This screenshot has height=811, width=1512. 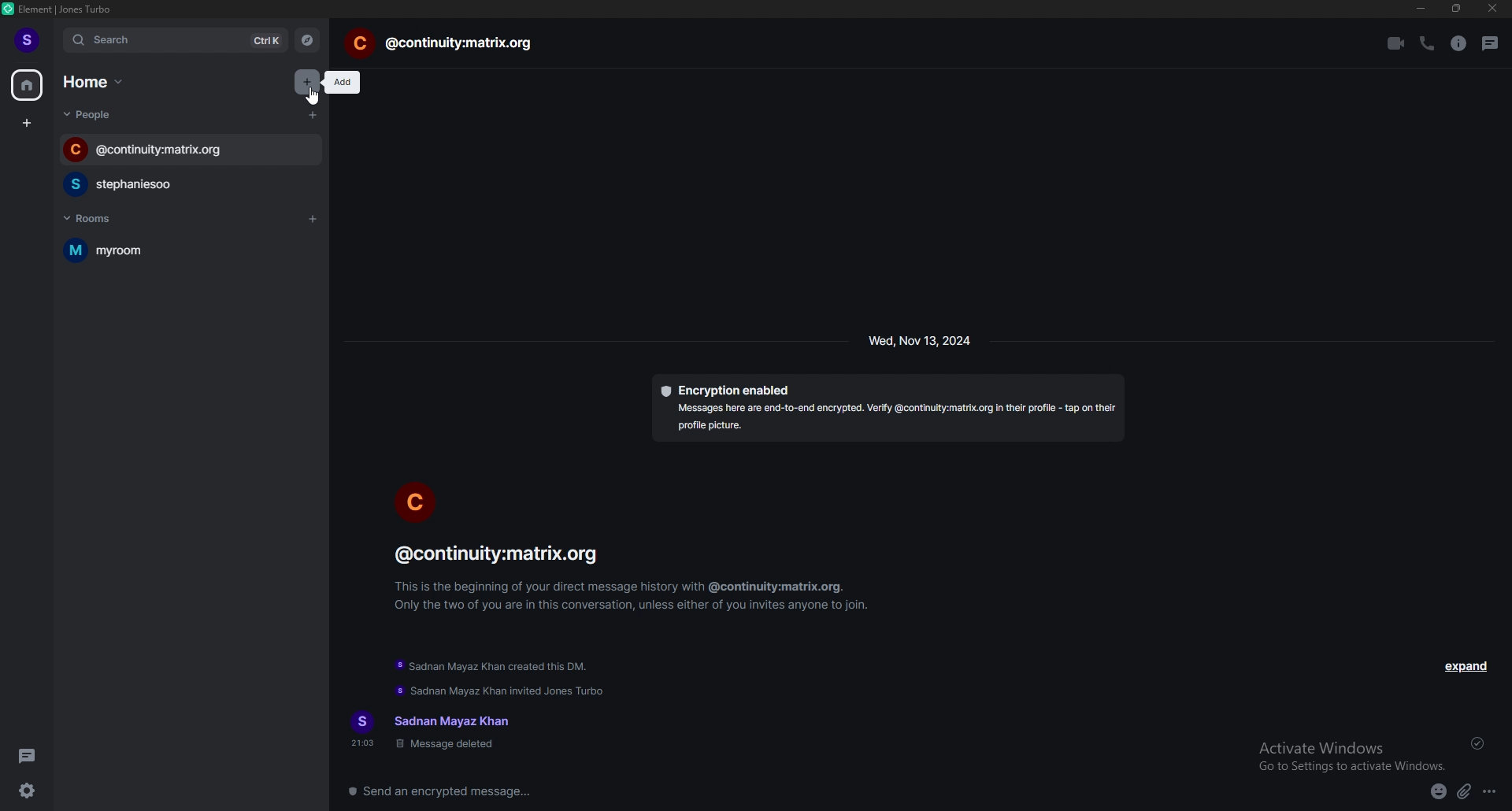 I want to click on chat, so click(x=183, y=184).